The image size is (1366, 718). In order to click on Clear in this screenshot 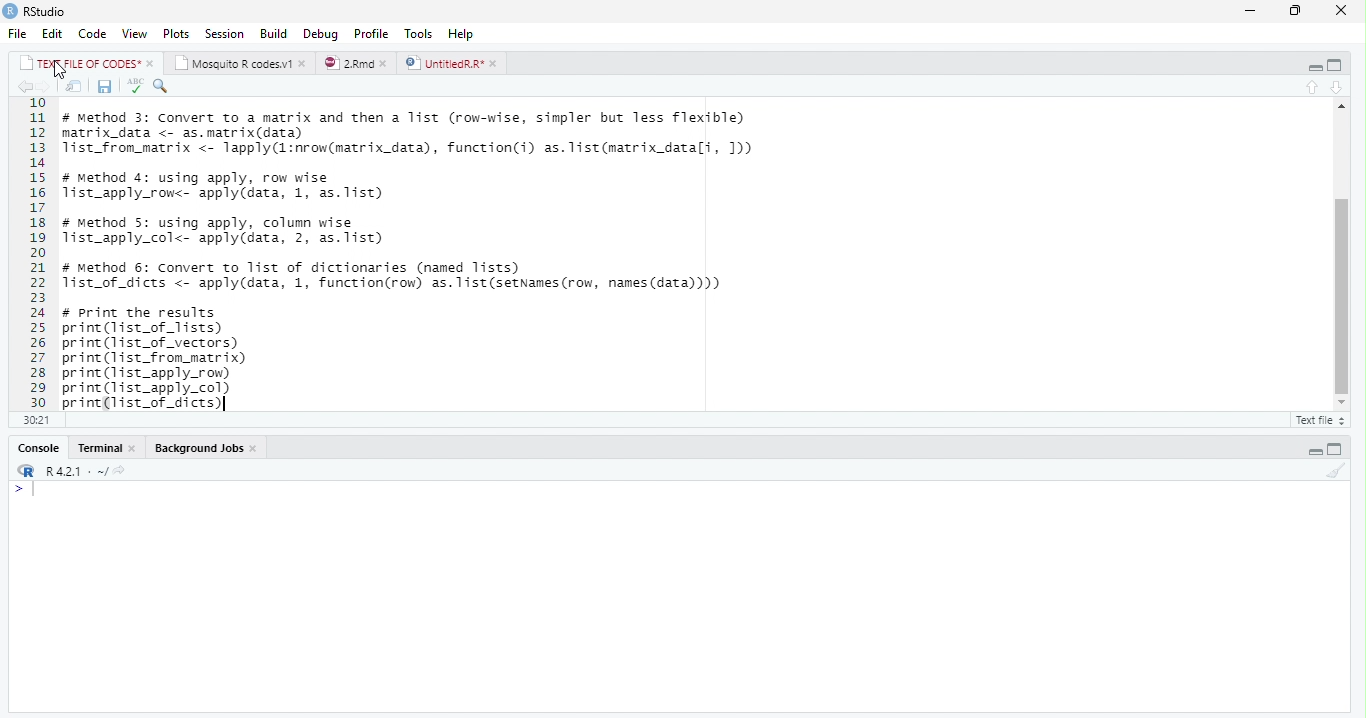, I will do `click(1334, 470)`.